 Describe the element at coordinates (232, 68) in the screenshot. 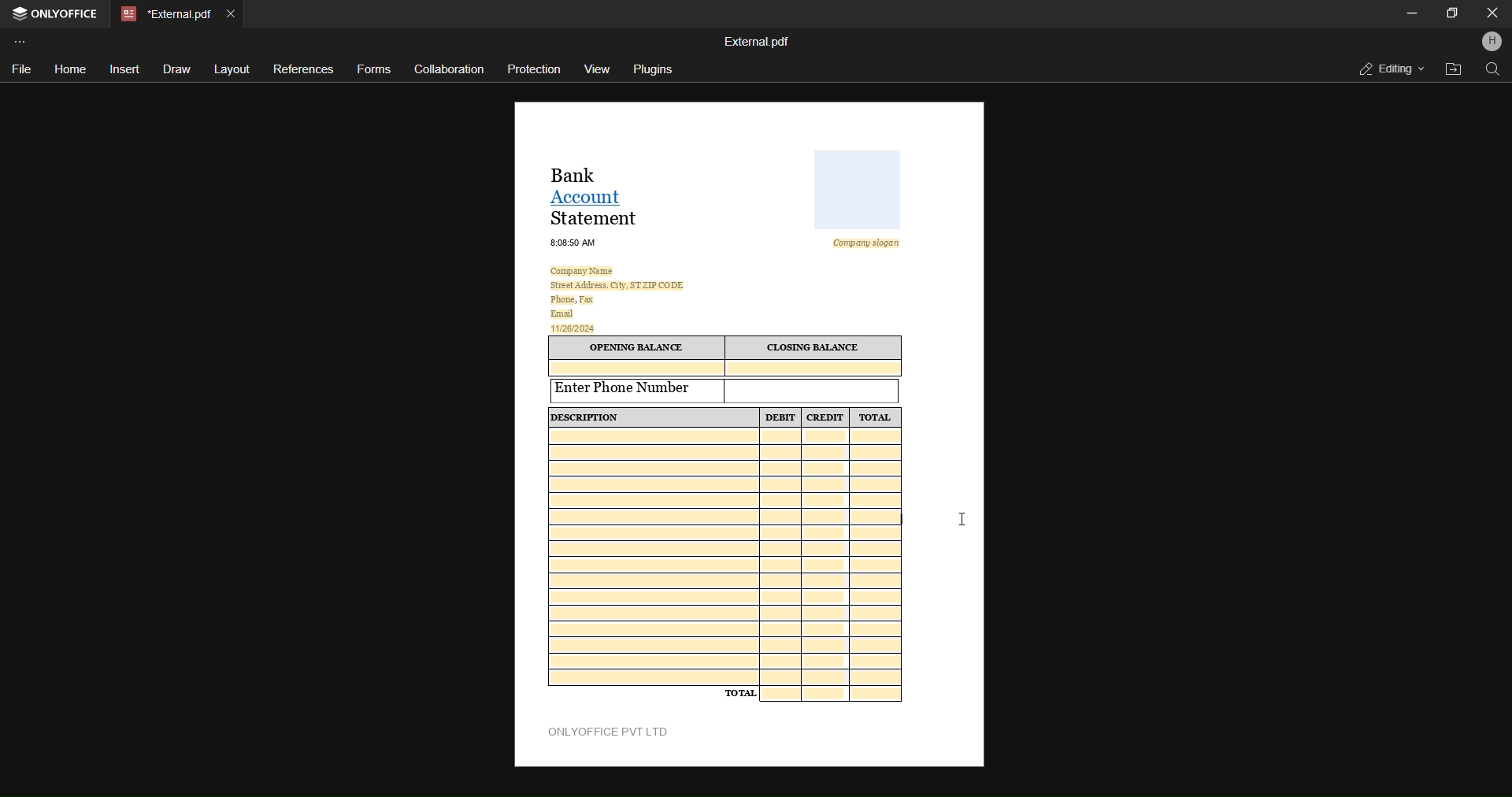

I see `layout` at that location.